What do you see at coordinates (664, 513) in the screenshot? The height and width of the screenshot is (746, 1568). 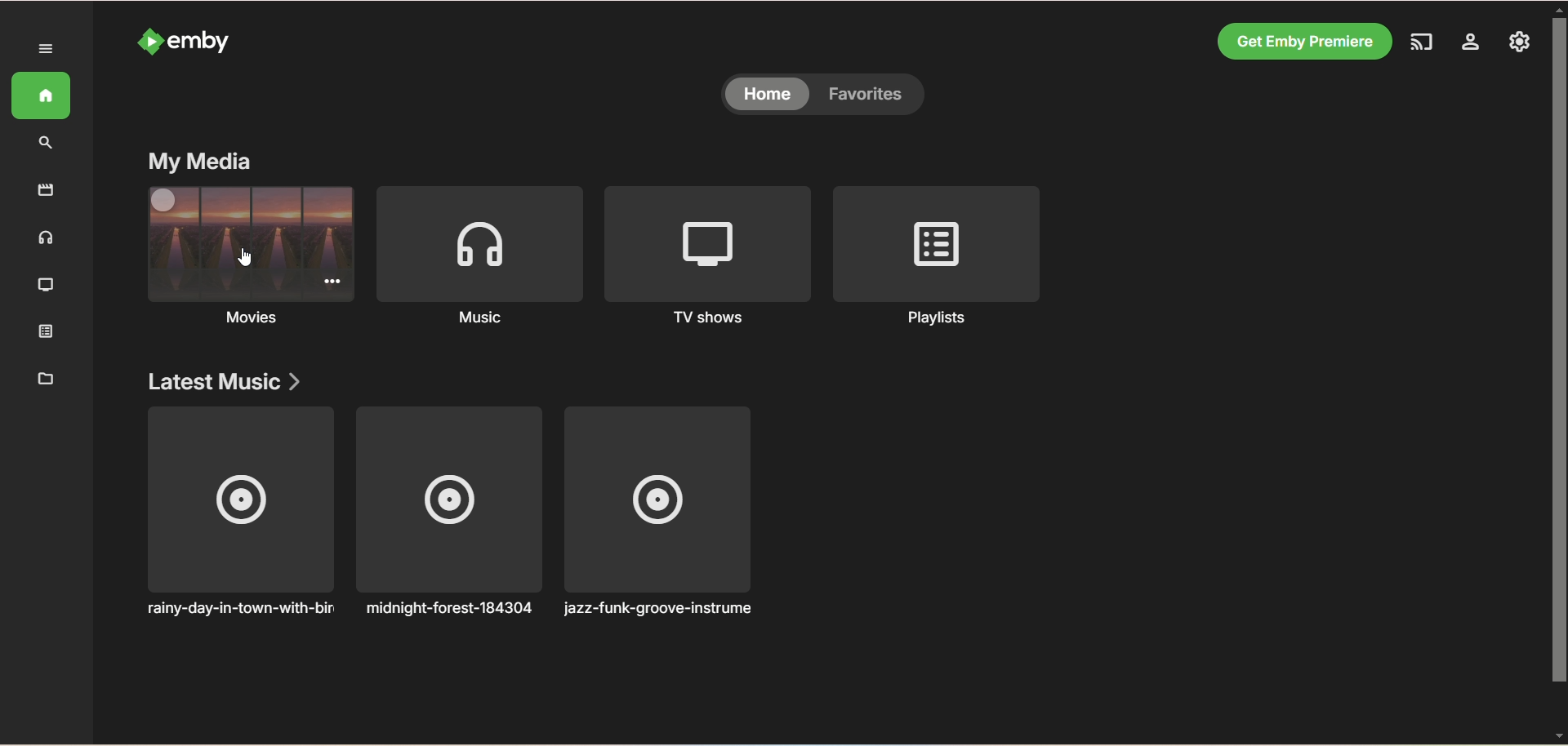 I see `jazz-funk-groove-instrument` at bounding box center [664, 513].